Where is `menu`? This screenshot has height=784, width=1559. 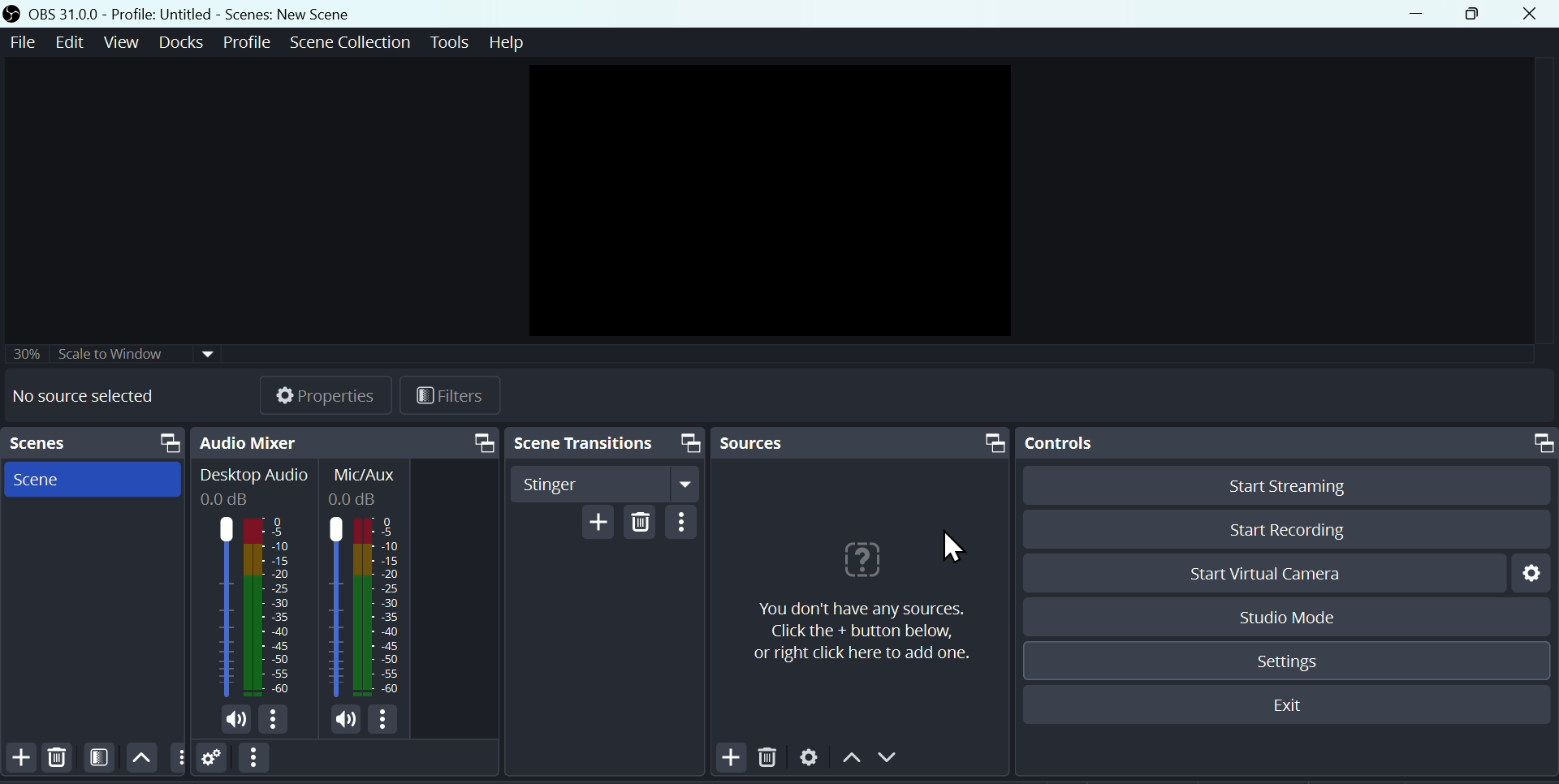
menu is located at coordinates (690, 523).